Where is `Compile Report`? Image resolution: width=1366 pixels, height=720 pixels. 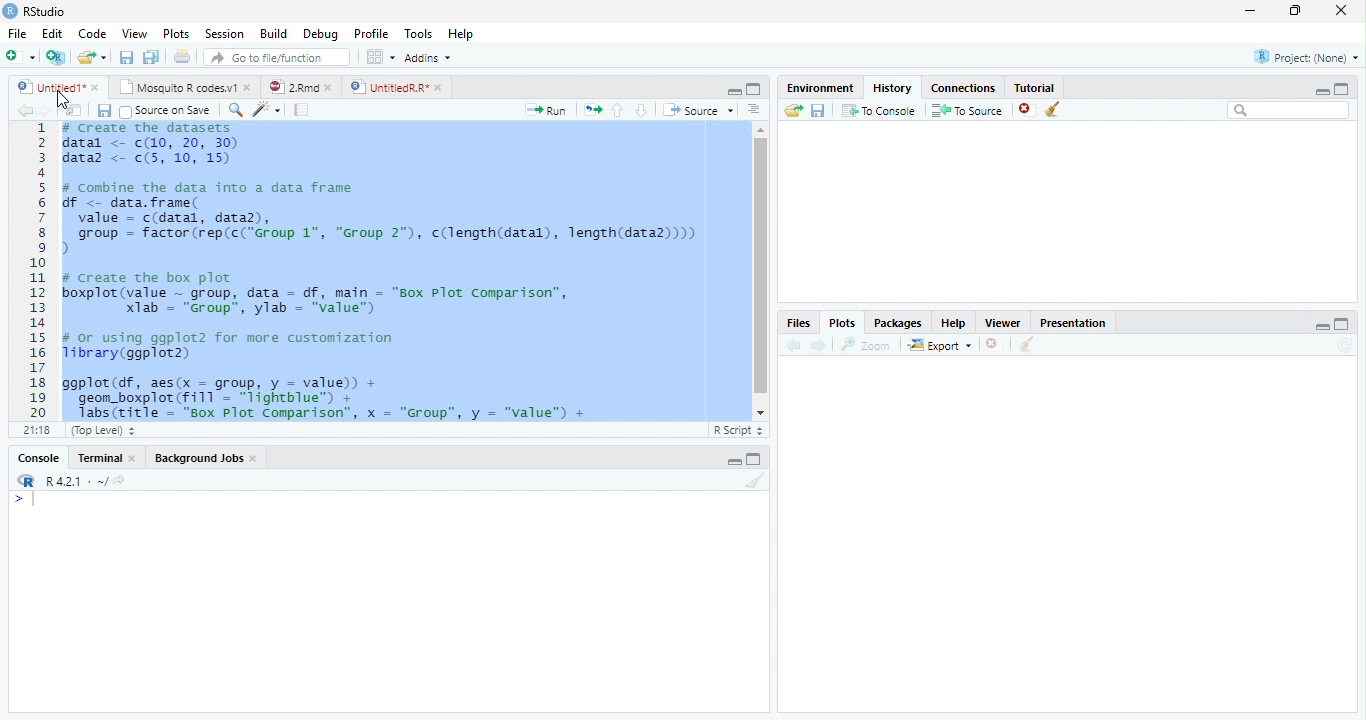 Compile Report is located at coordinates (302, 109).